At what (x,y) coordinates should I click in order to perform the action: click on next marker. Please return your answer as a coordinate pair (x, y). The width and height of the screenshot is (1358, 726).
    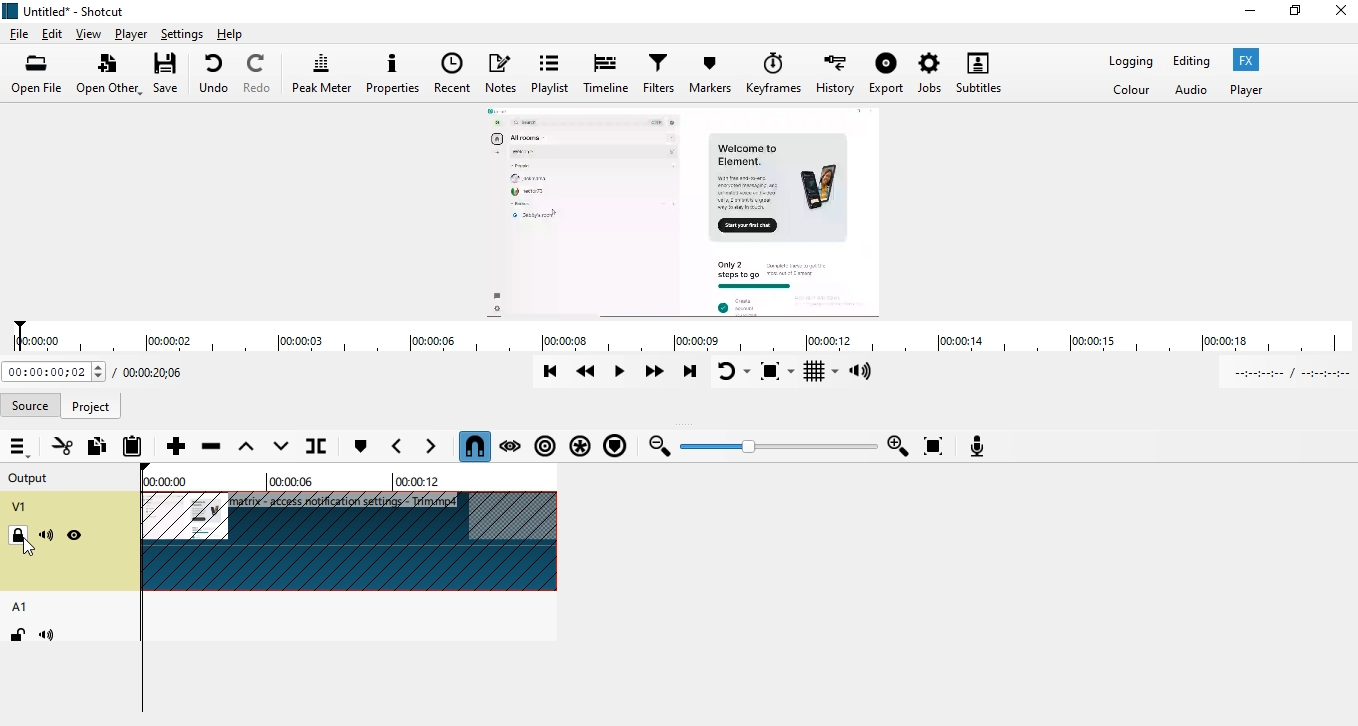
    Looking at the image, I should click on (437, 448).